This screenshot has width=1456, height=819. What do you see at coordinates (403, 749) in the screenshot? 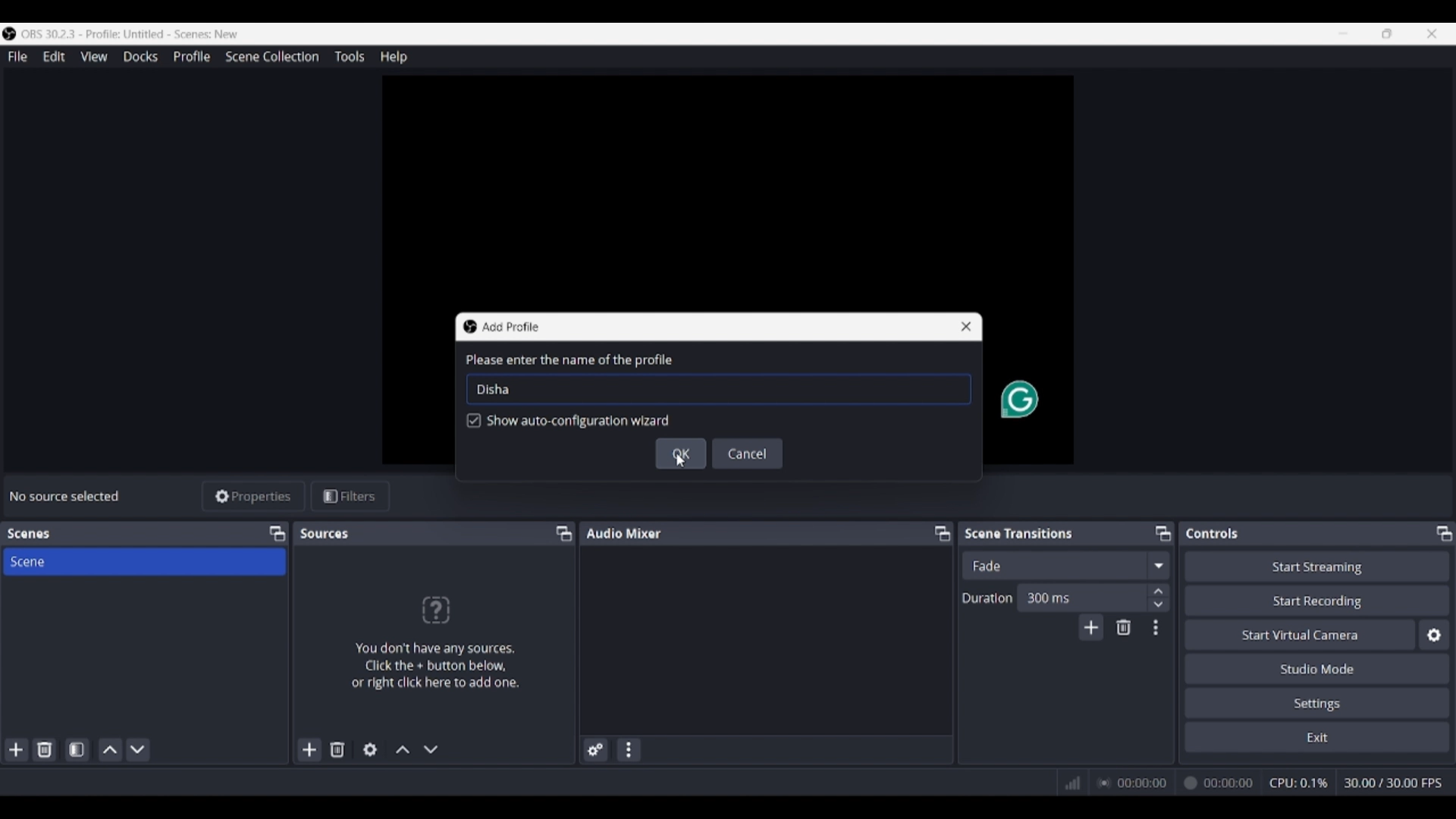
I see `Move source up` at bounding box center [403, 749].